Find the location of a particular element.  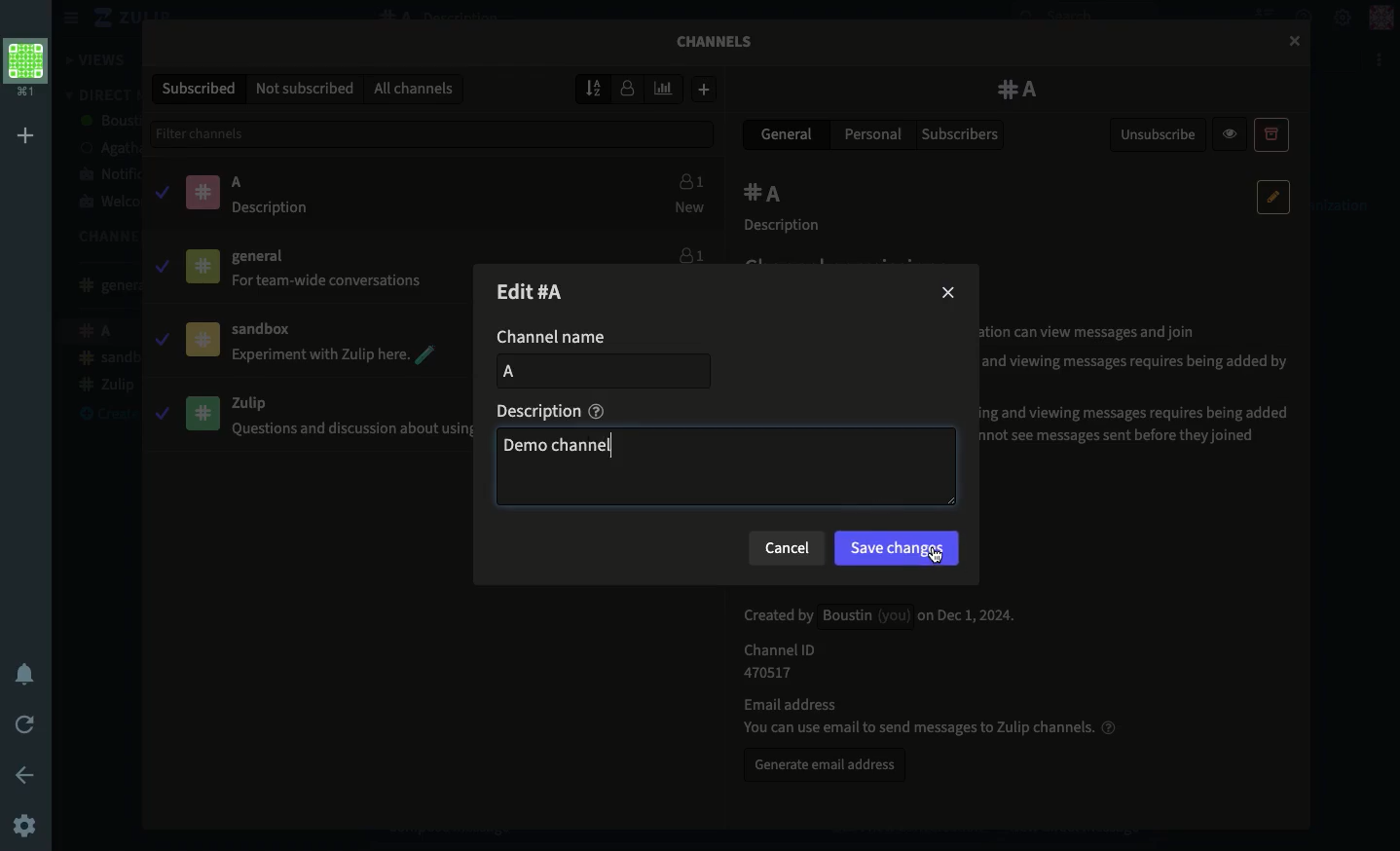

Settings is located at coordinates (25, 828).